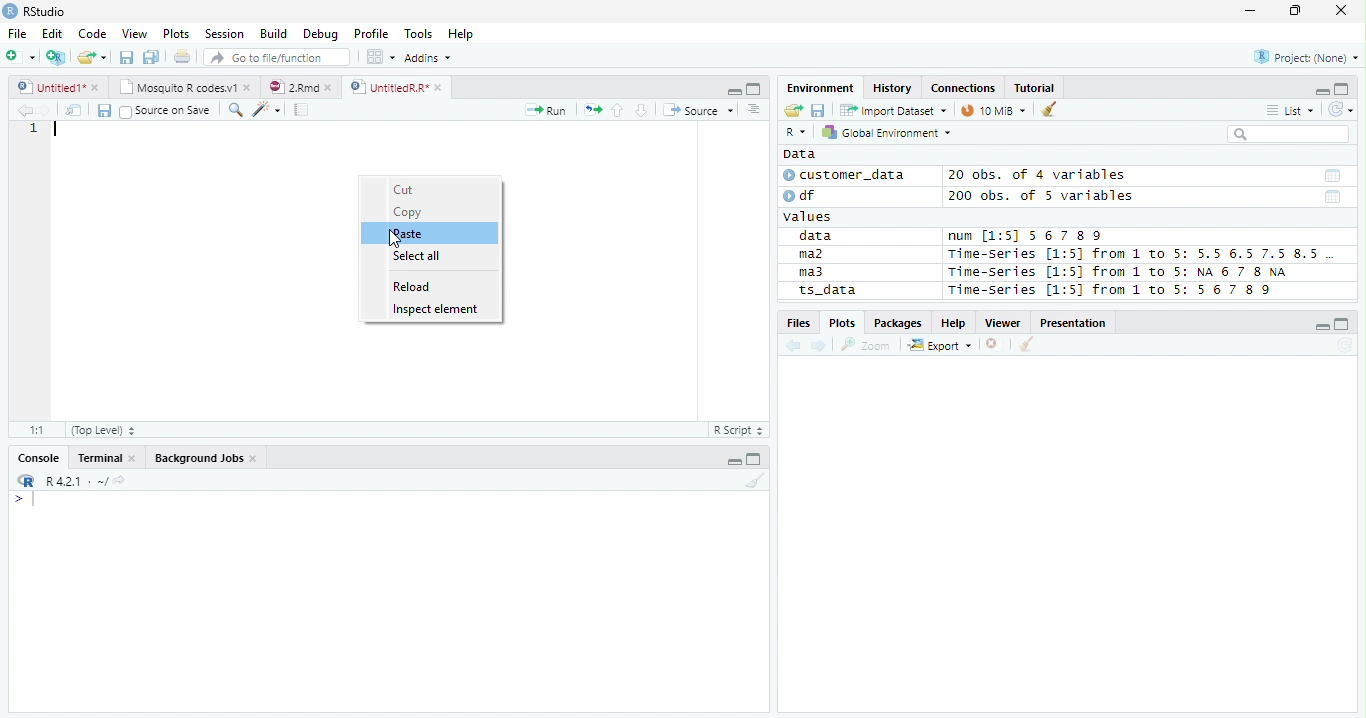  I want to click on Previous, so click(796, 346).